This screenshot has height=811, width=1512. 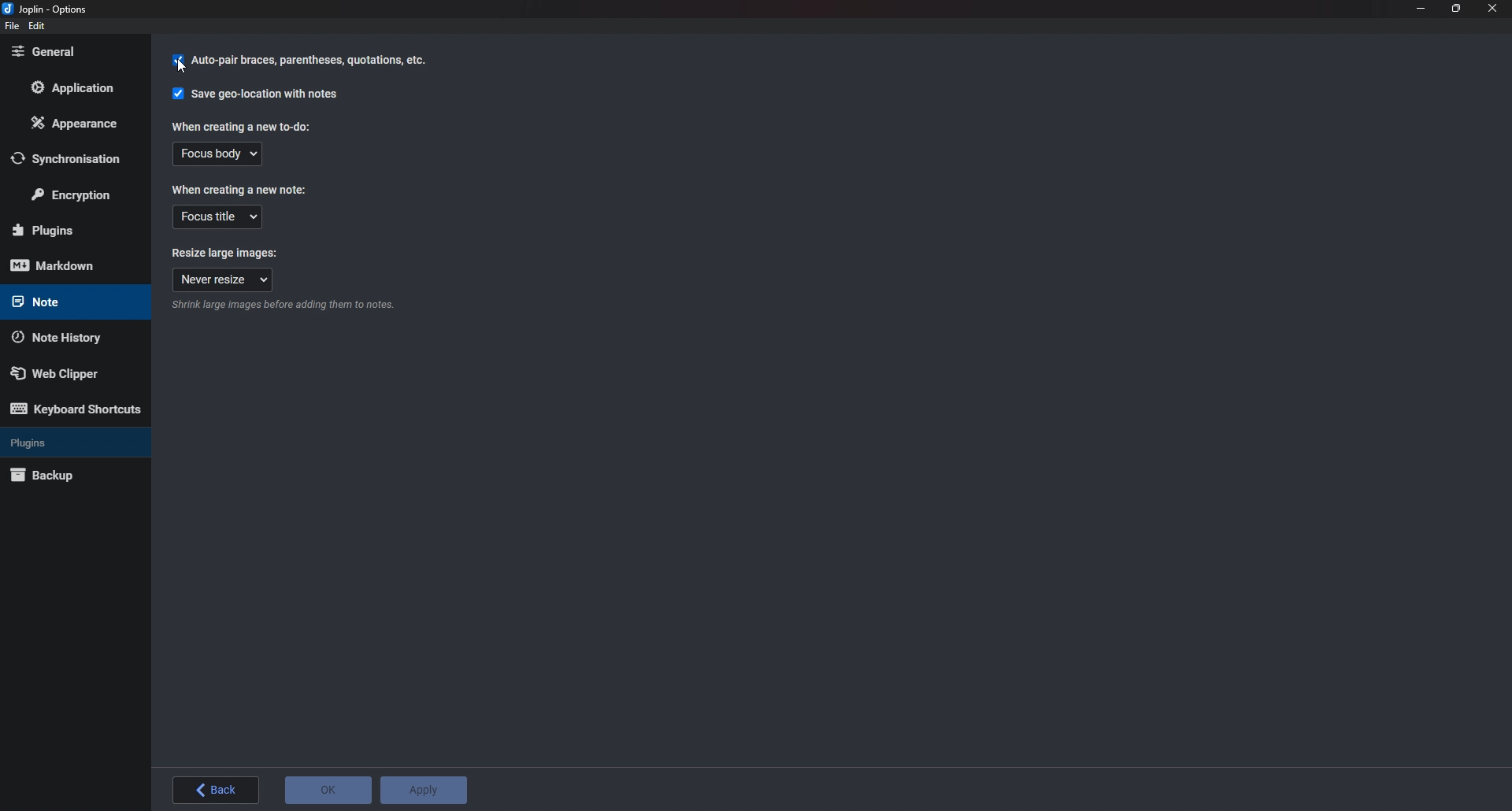 What do you see at coordinates (77, 407) in the screenshot?
I see `Keyboard shortcuts` at bounding box center [77, 407].